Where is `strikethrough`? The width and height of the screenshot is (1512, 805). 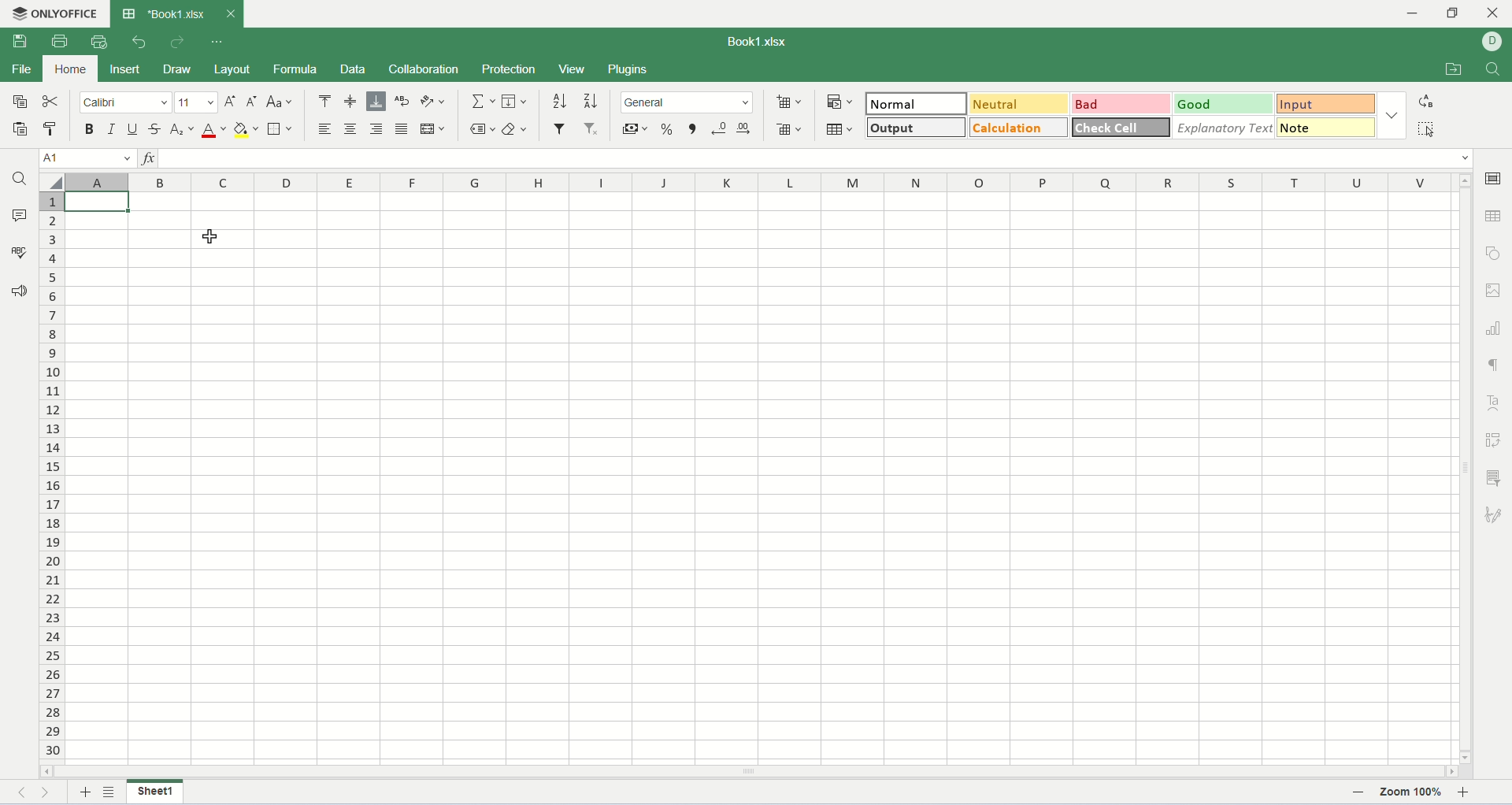 strikethrough is located at coordinates (154, 128).